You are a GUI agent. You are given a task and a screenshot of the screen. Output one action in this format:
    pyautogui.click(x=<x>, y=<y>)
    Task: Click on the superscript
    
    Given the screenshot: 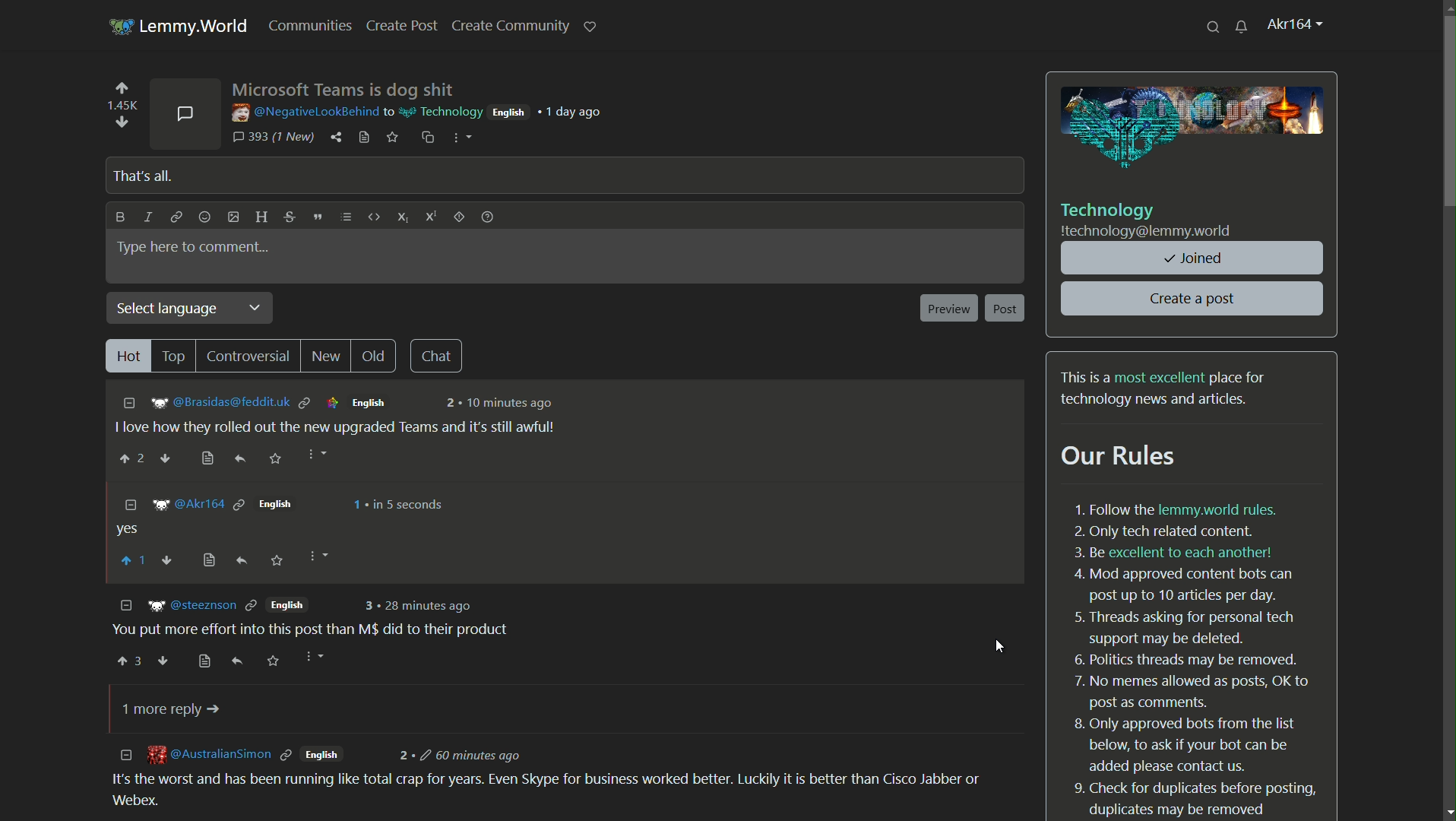 What is the action you would take?
    pyautogui.click(x=432, y=219)
    